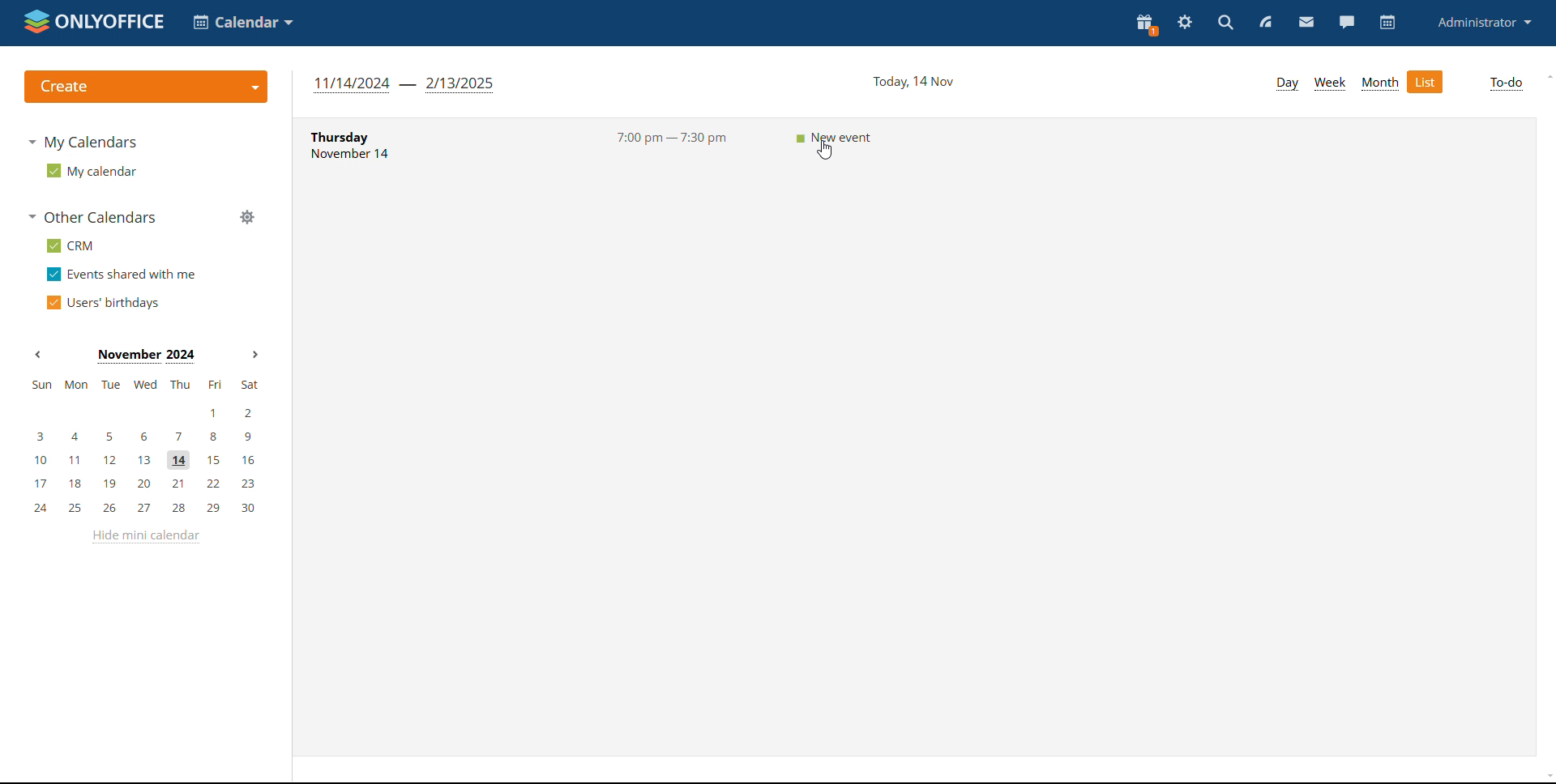  What do you see at coordinates (100, 303) in the screenshot?
I see `users' birthdays` at bounding box center [100, 303].